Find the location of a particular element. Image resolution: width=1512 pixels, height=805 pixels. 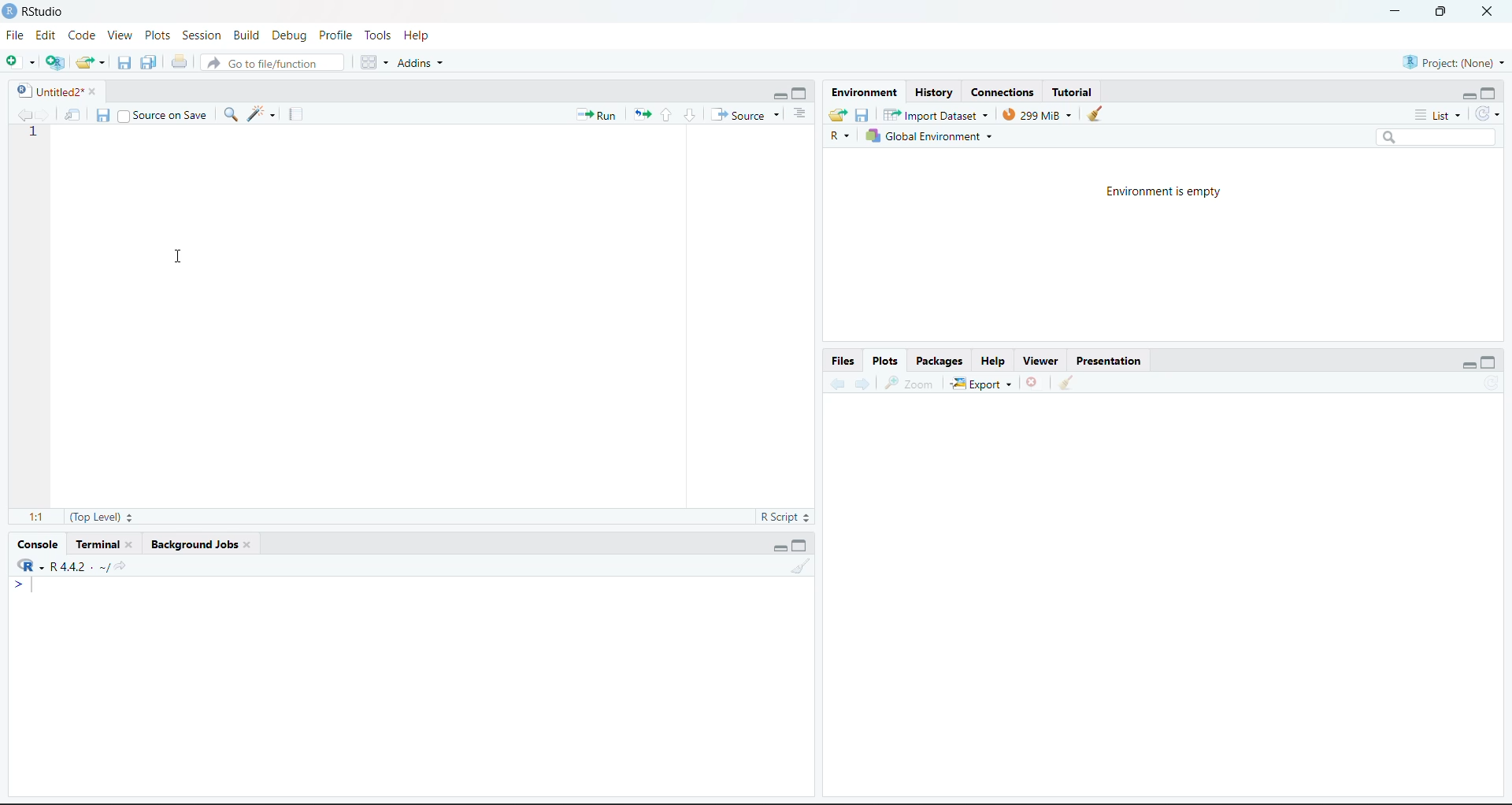

maximize is located at coordinates (799, 546).